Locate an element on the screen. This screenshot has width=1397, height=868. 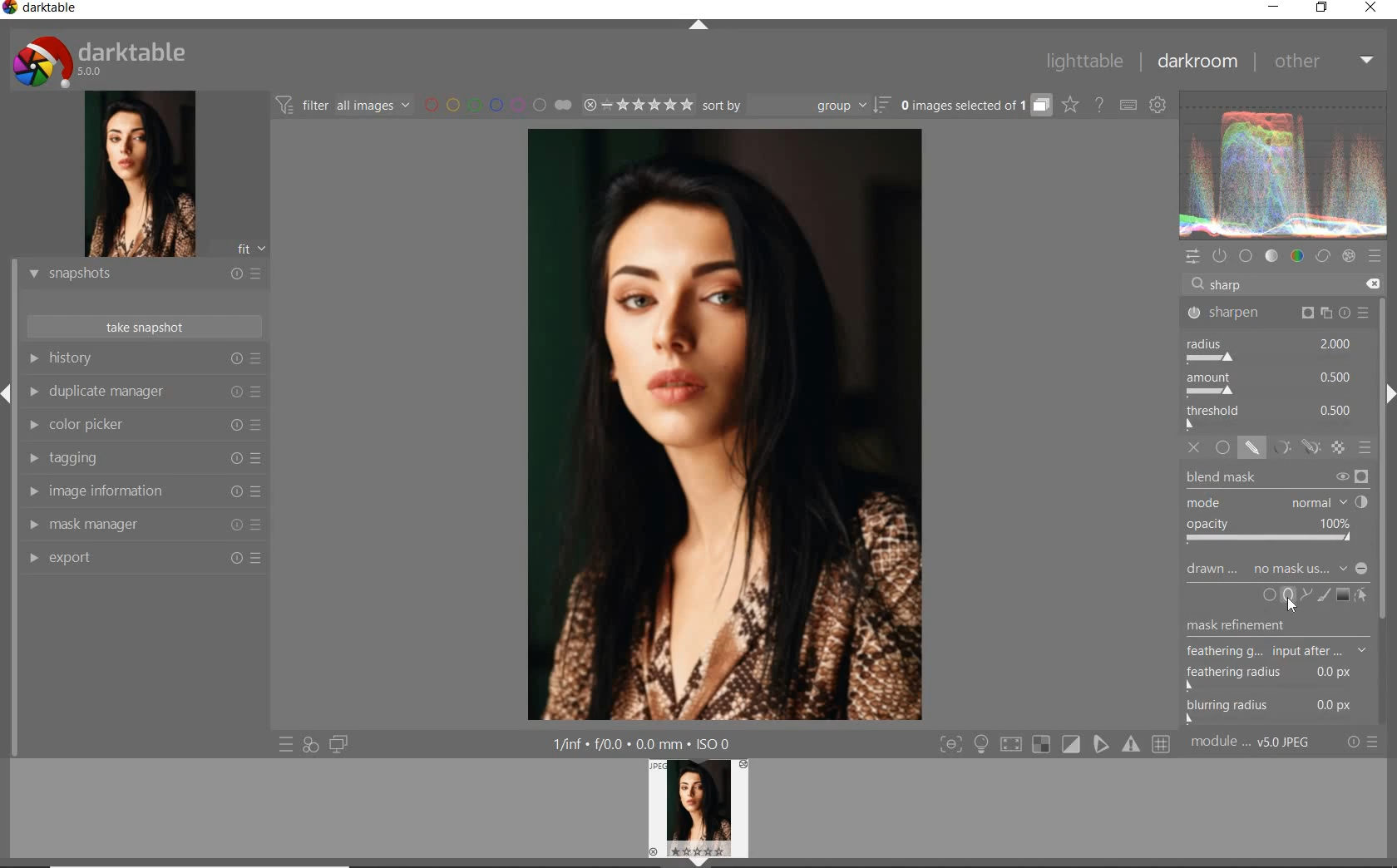
mask options is located at coordinates (1293, 447).